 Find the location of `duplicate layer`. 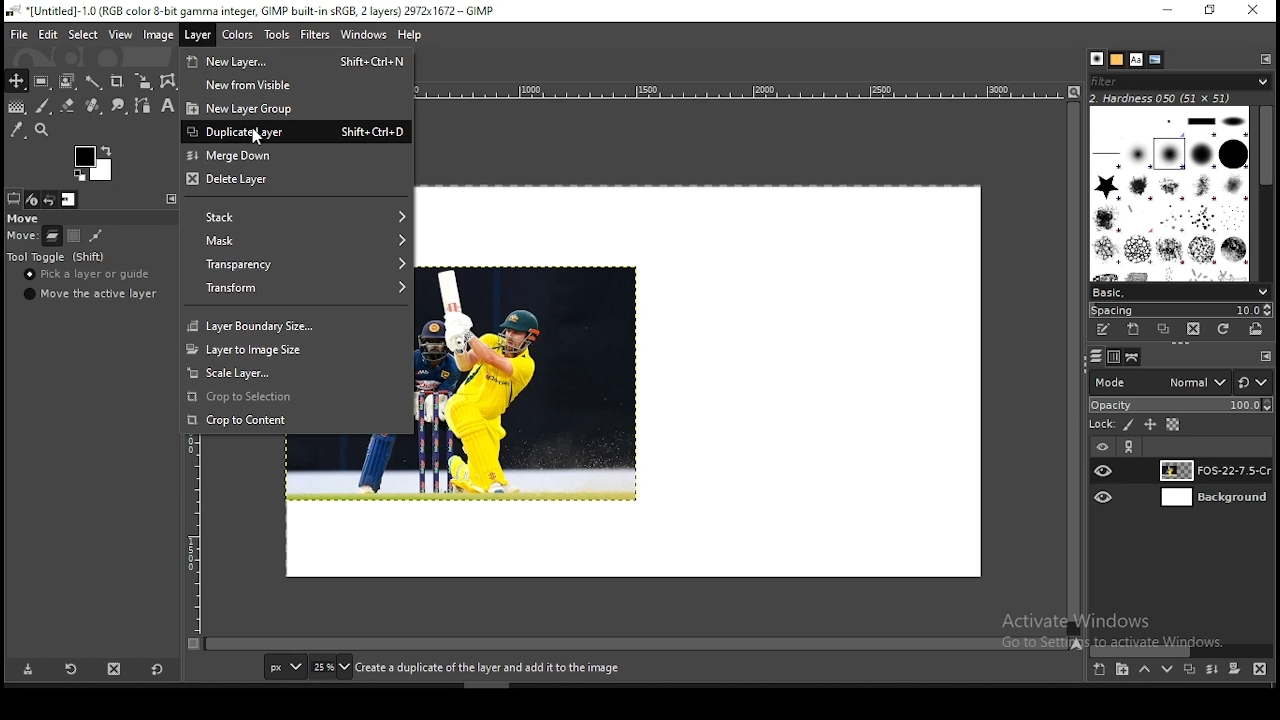

duplicate layer is located at coordinates (246, 130).